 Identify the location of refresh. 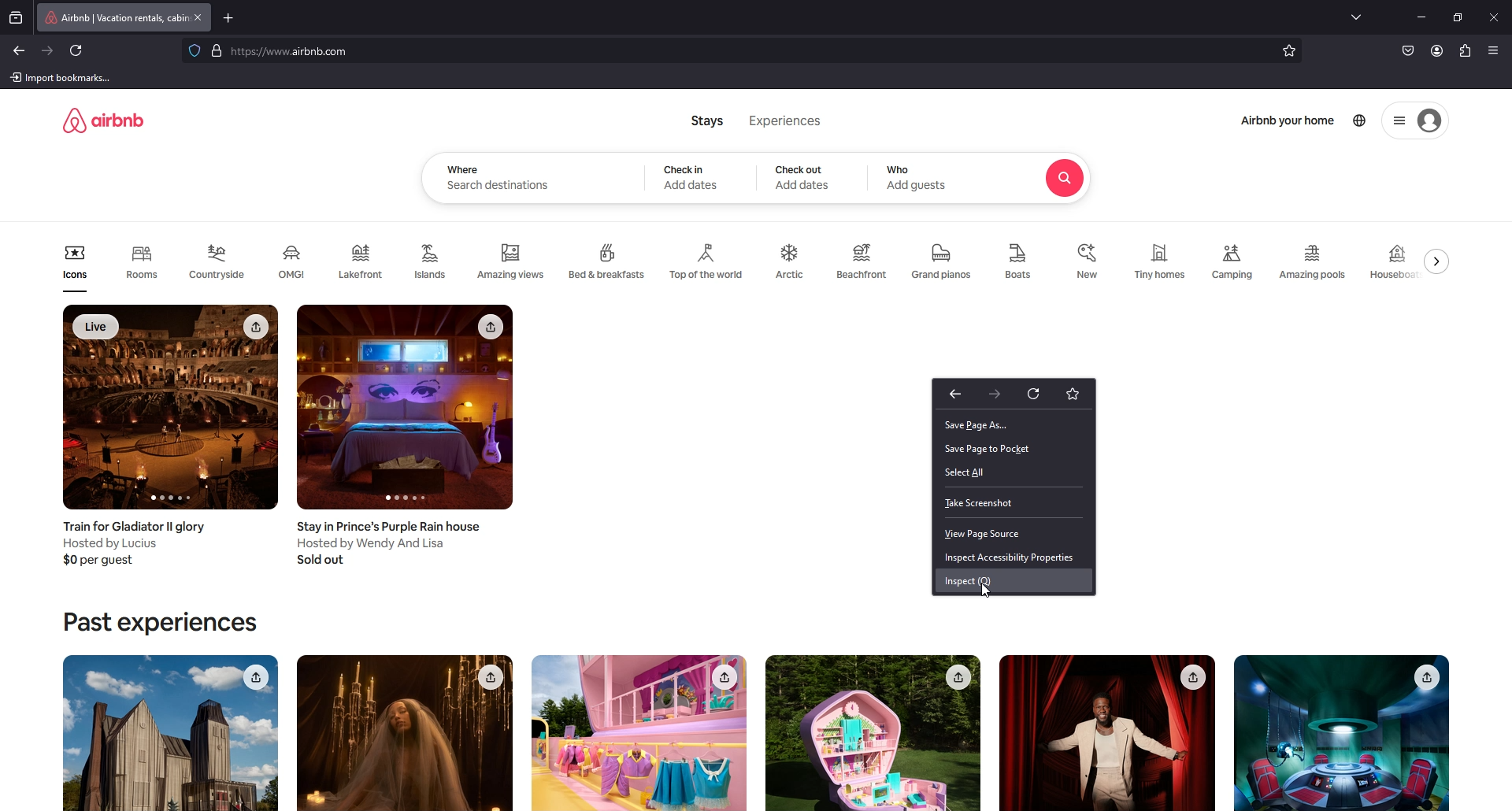
(1036, 392).